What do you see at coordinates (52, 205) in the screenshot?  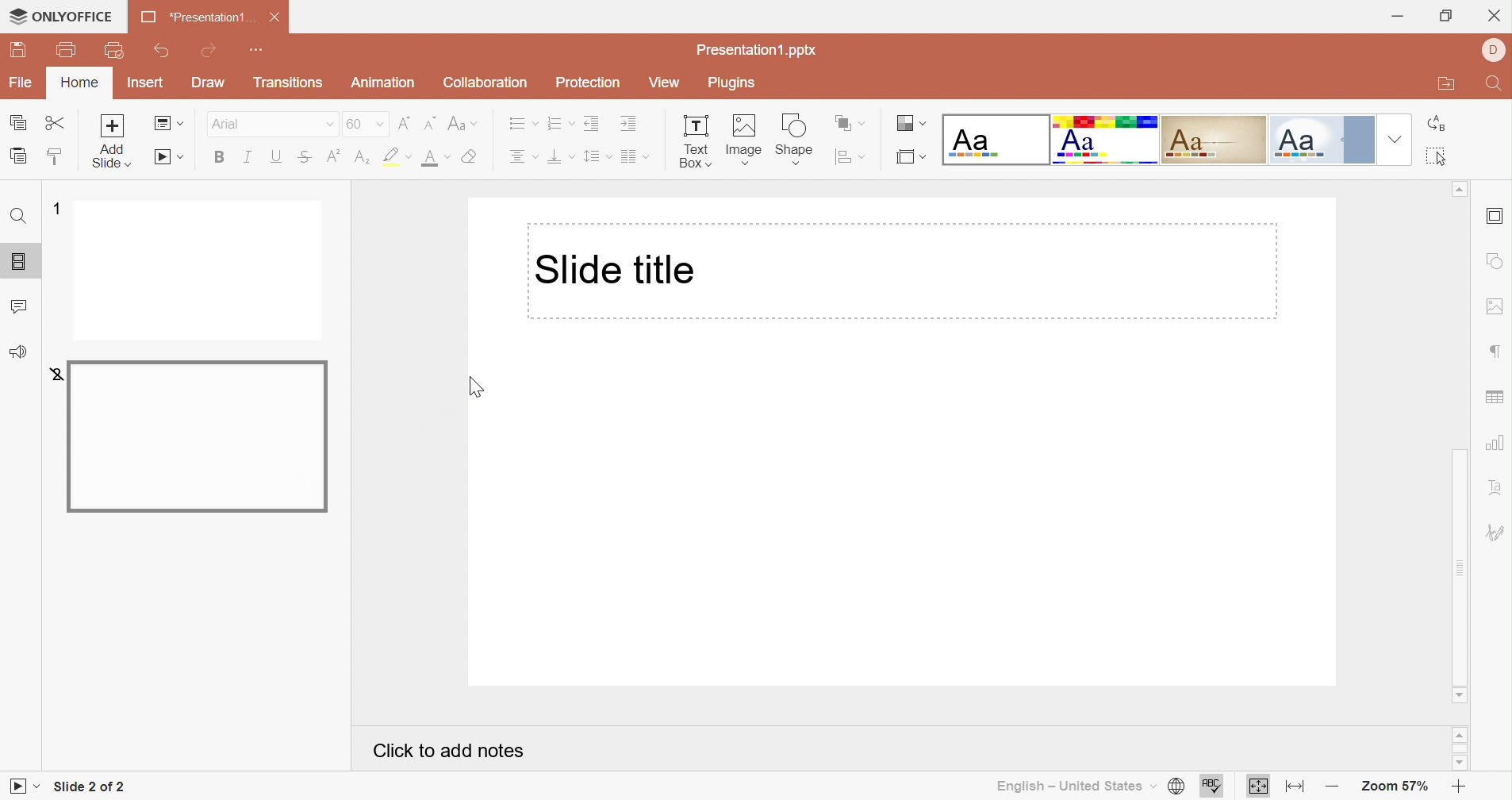 I see `1` at bounding box center [52, 205].